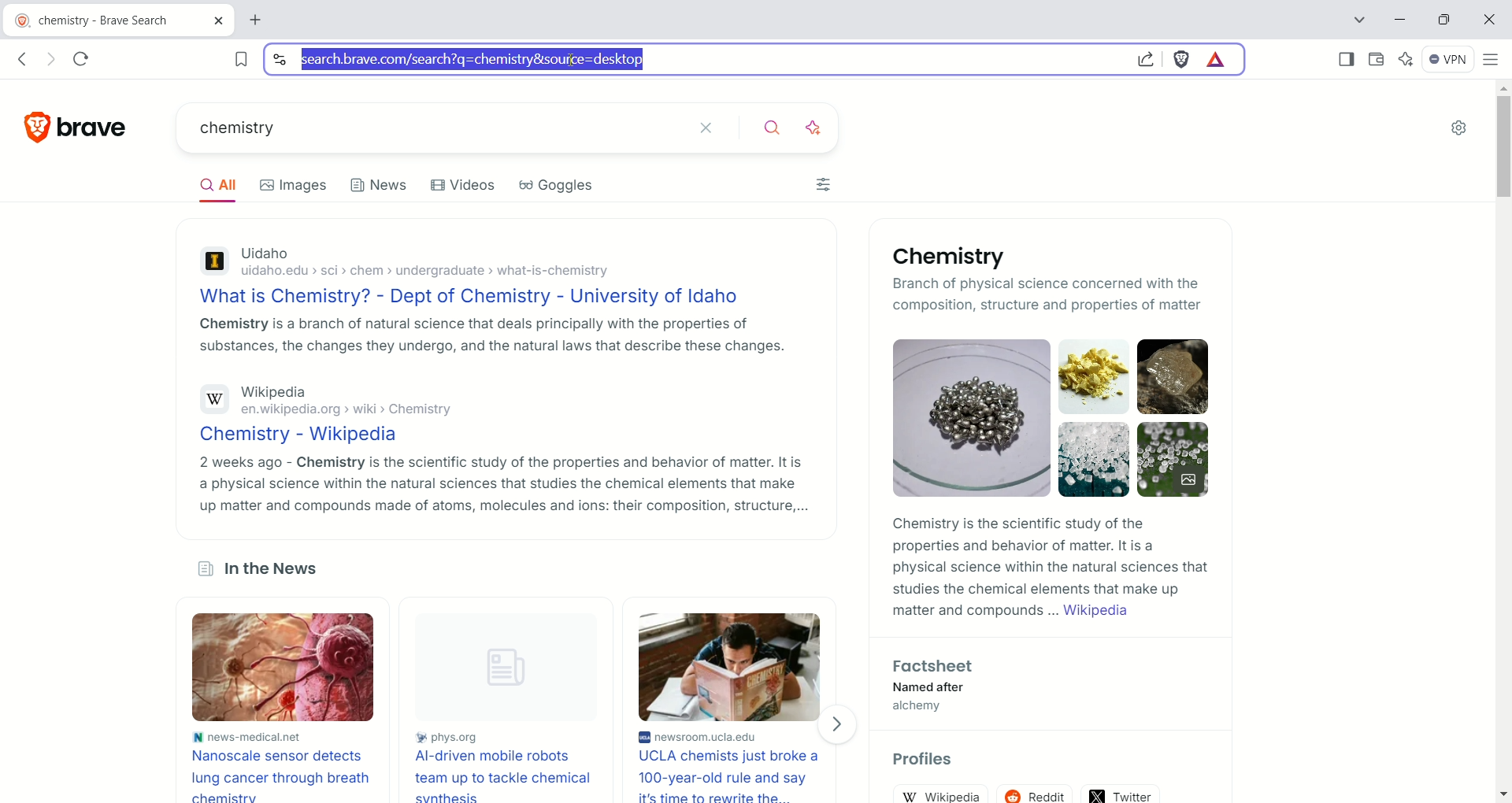 The image size is (1512, 803). What do you see at coordinates (728, 667) in the screenshot?
I see `Image of individual reading` at bounding box center [728, 667].